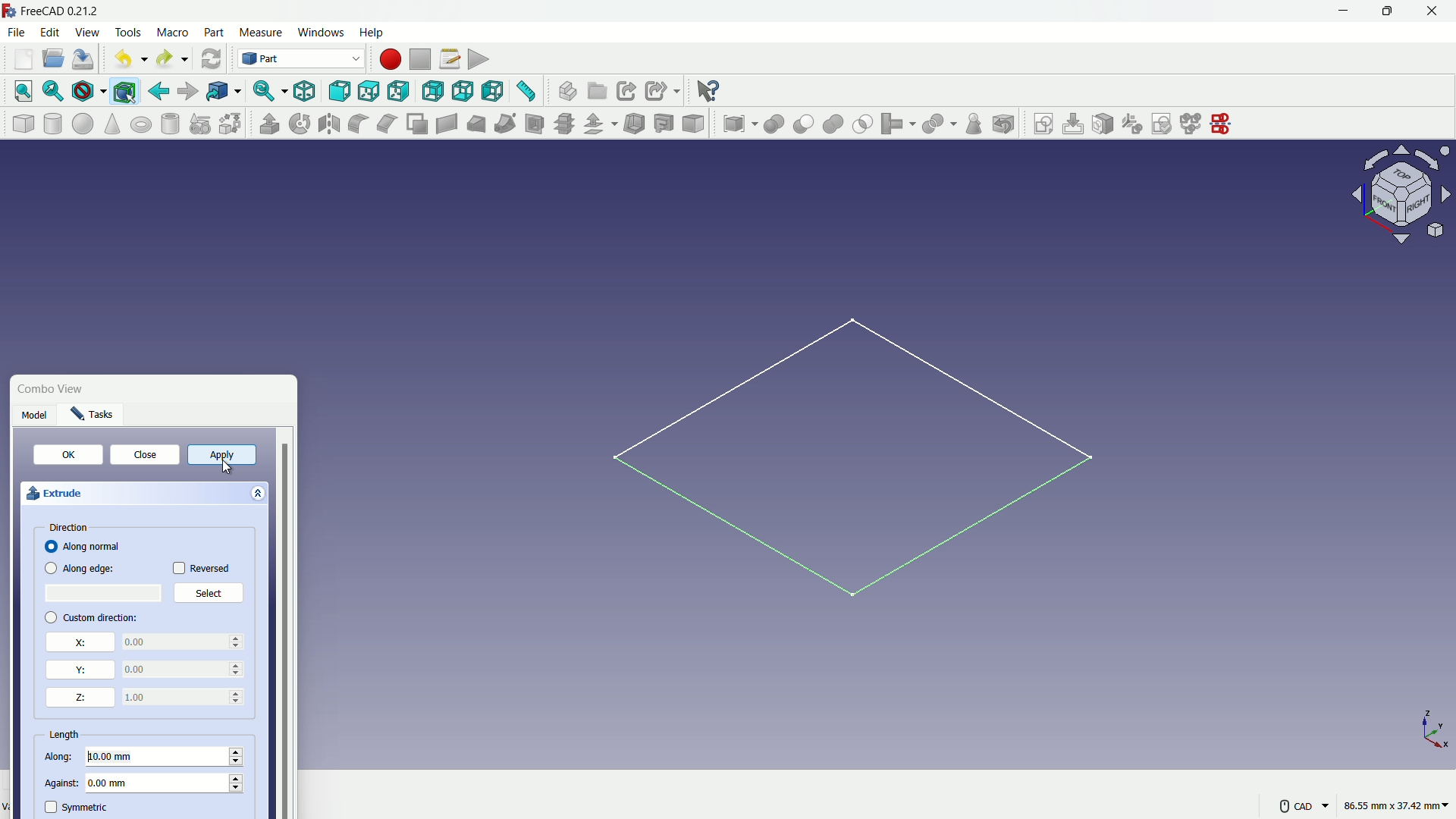  Describe the element at coordinates (1434, 13) in the screenshot. I see `close` at that location.